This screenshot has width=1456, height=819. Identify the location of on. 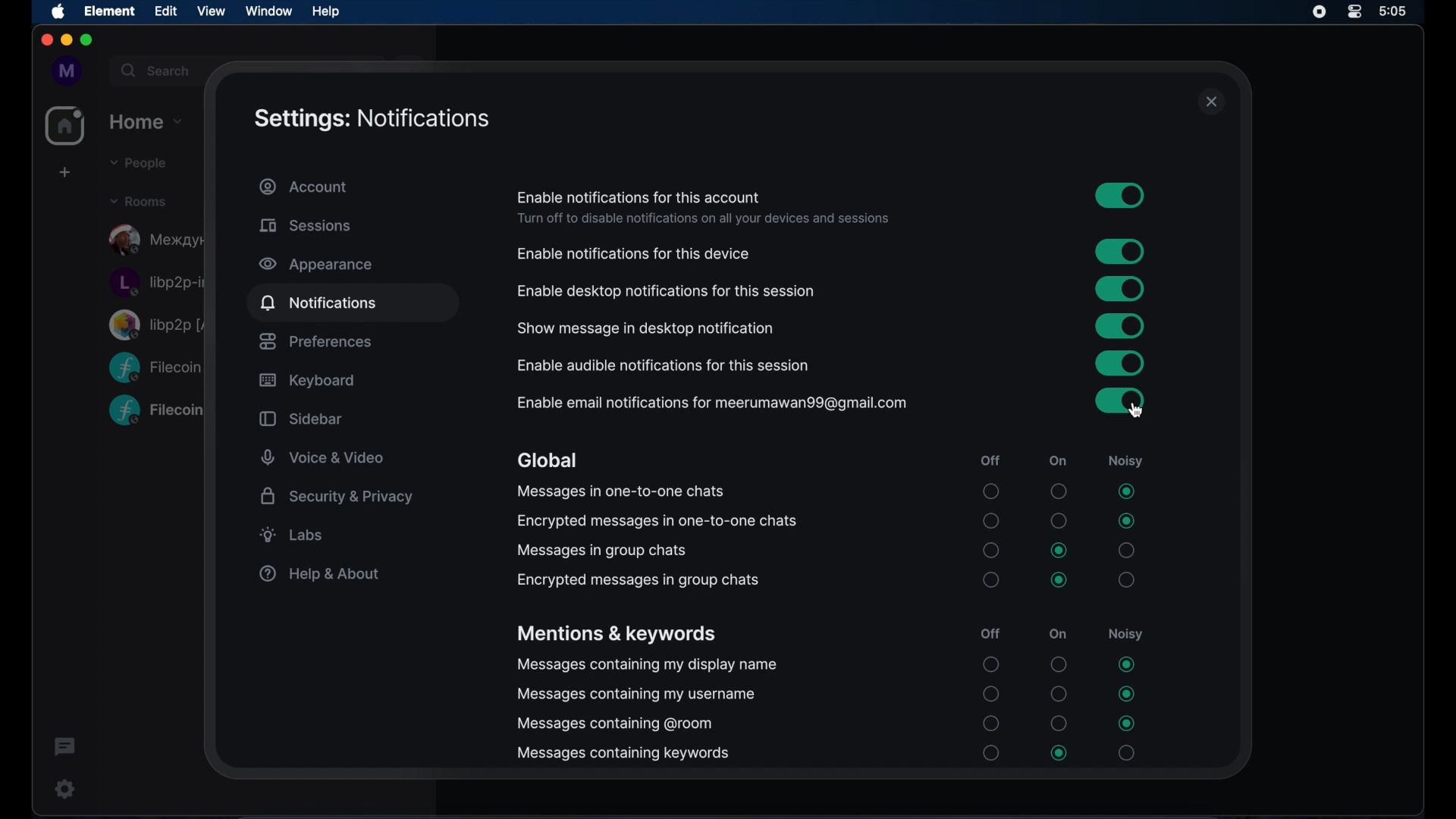
(1058, 633).